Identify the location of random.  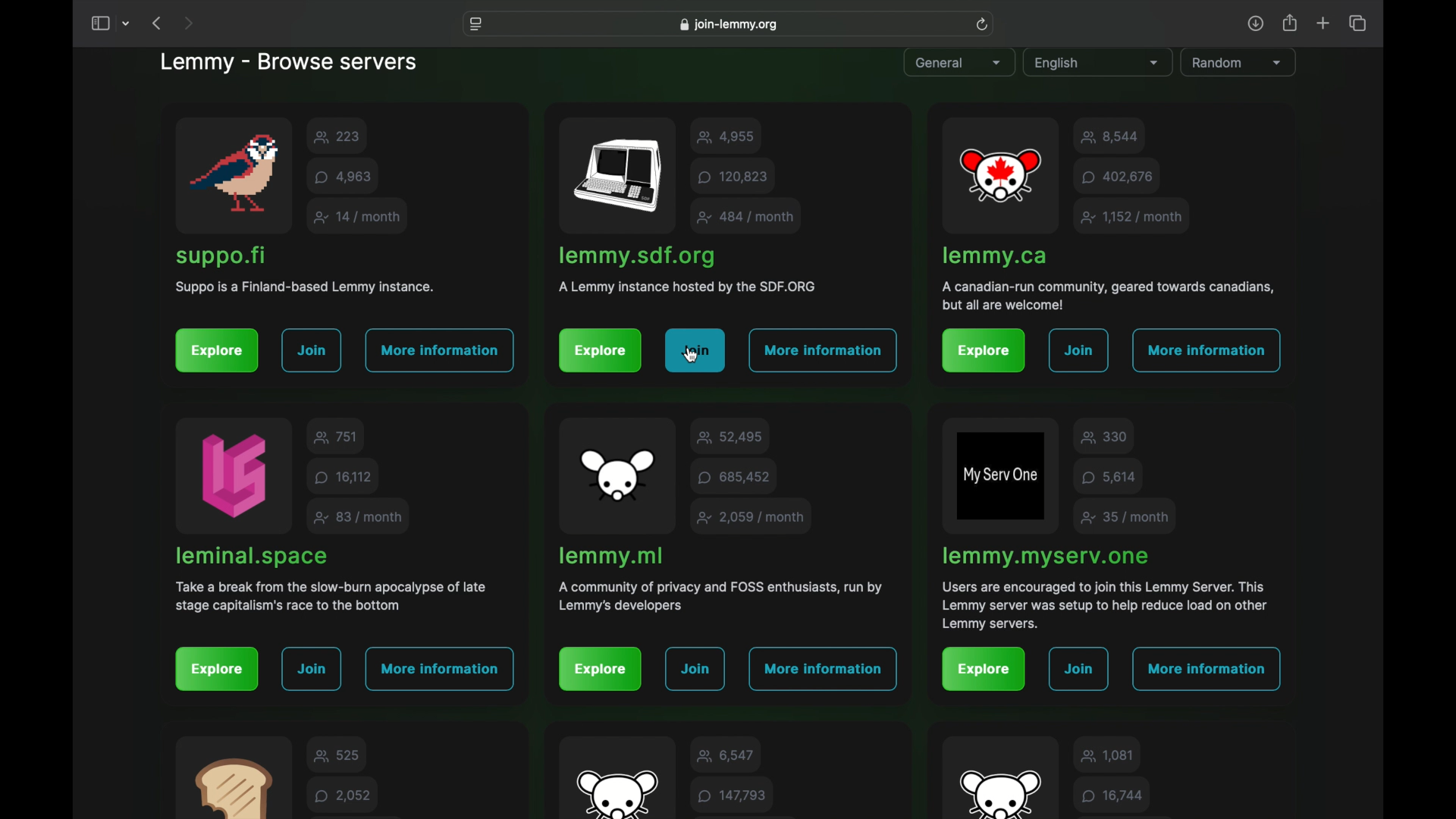
(1237, 62).